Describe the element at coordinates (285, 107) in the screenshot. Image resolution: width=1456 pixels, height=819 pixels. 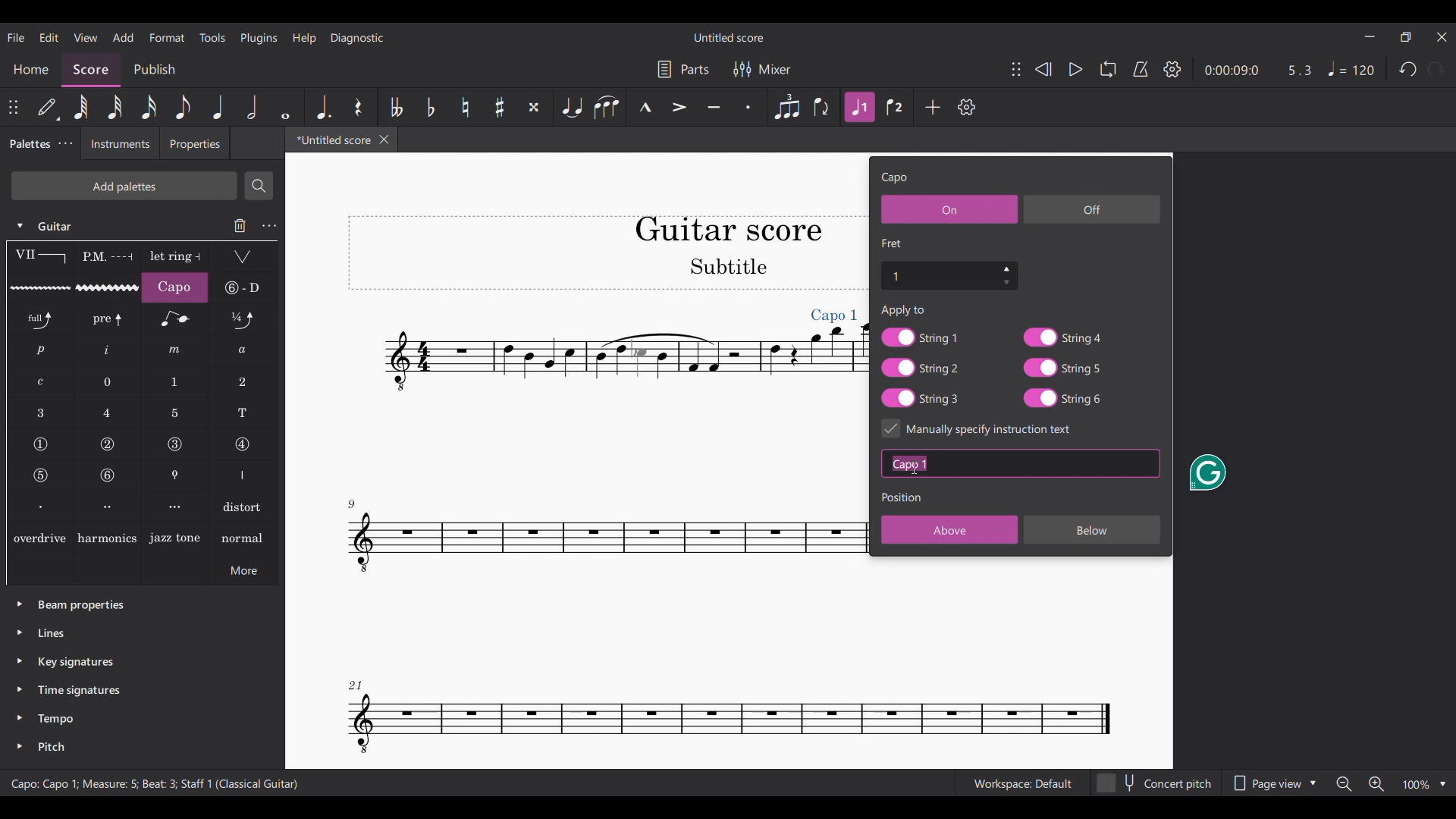
I see `Whole note` at that location.